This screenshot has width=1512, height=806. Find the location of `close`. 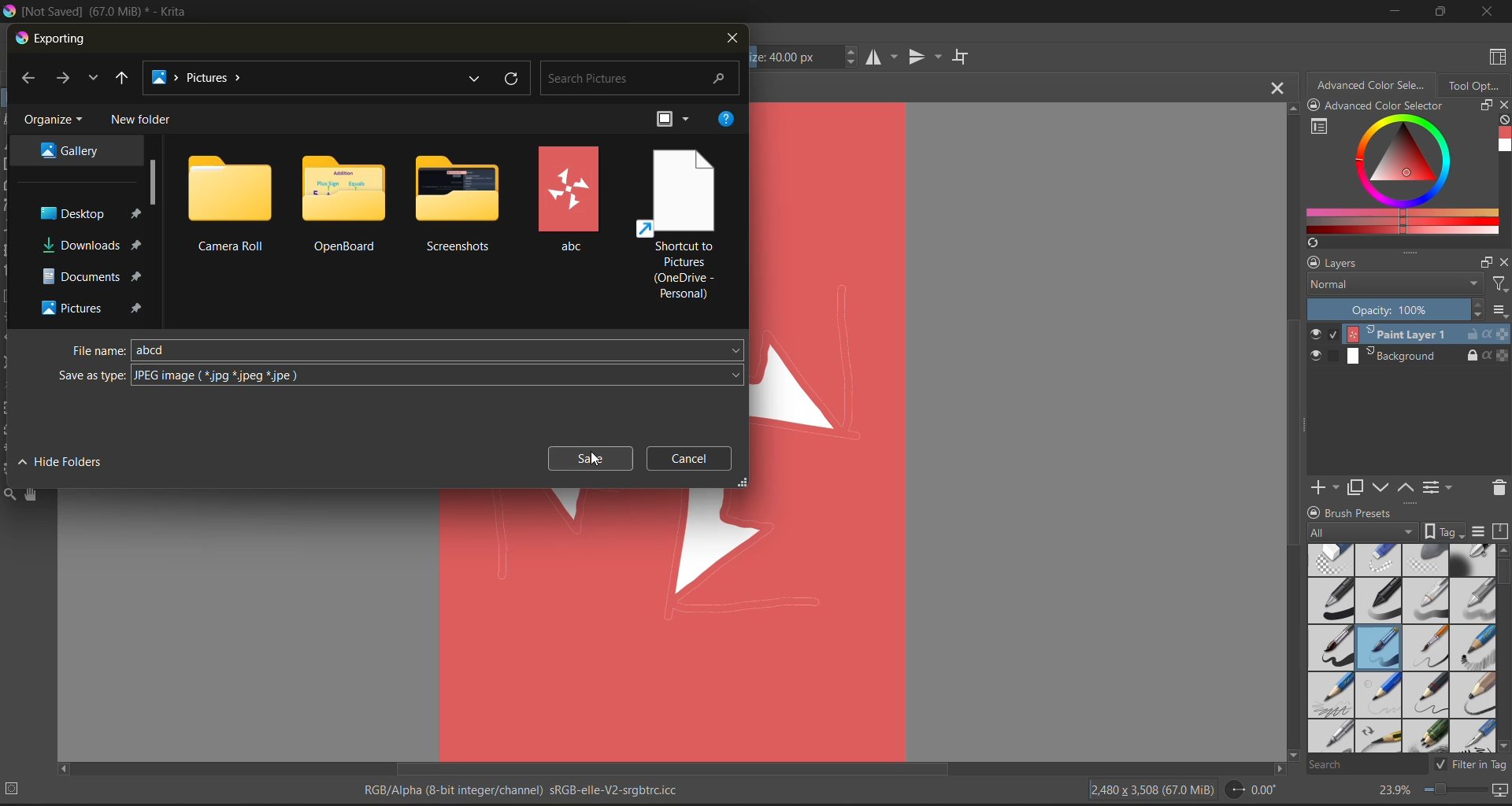

close is located at coordinates (728, 42).